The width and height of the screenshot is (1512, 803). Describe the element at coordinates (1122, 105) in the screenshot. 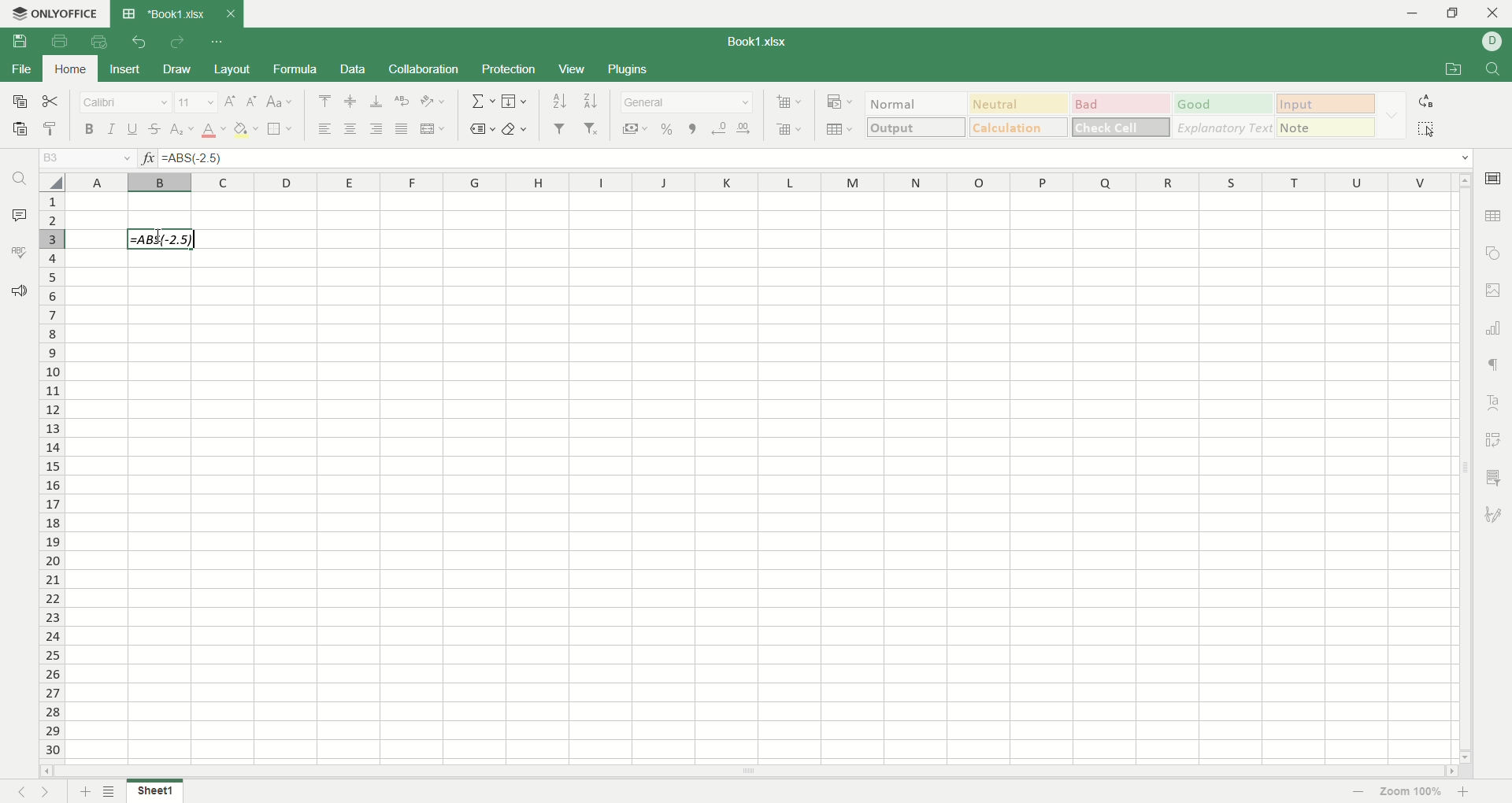

I see `bad` at that location.